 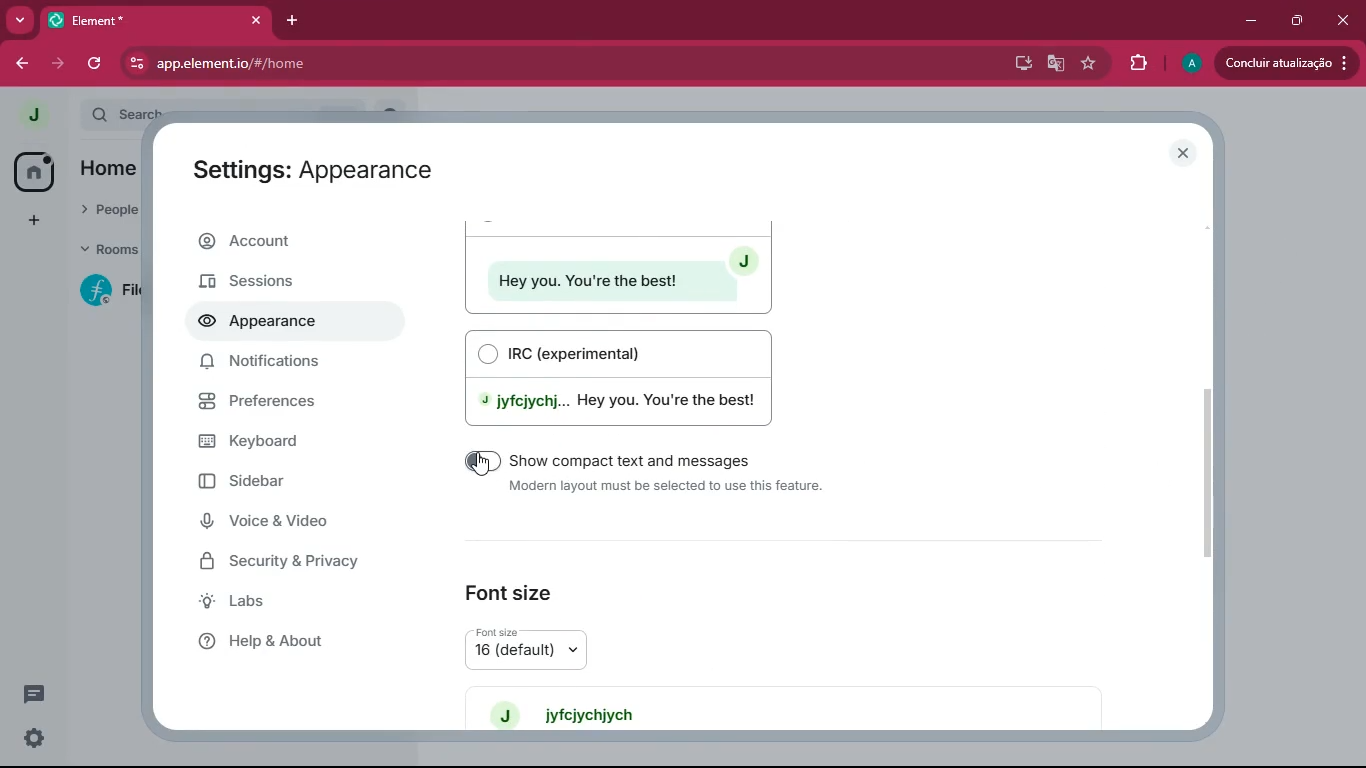 What do you see at coordinates (286, 524) in the screenshot?
I see `voice` at bounding box center [286, 524].